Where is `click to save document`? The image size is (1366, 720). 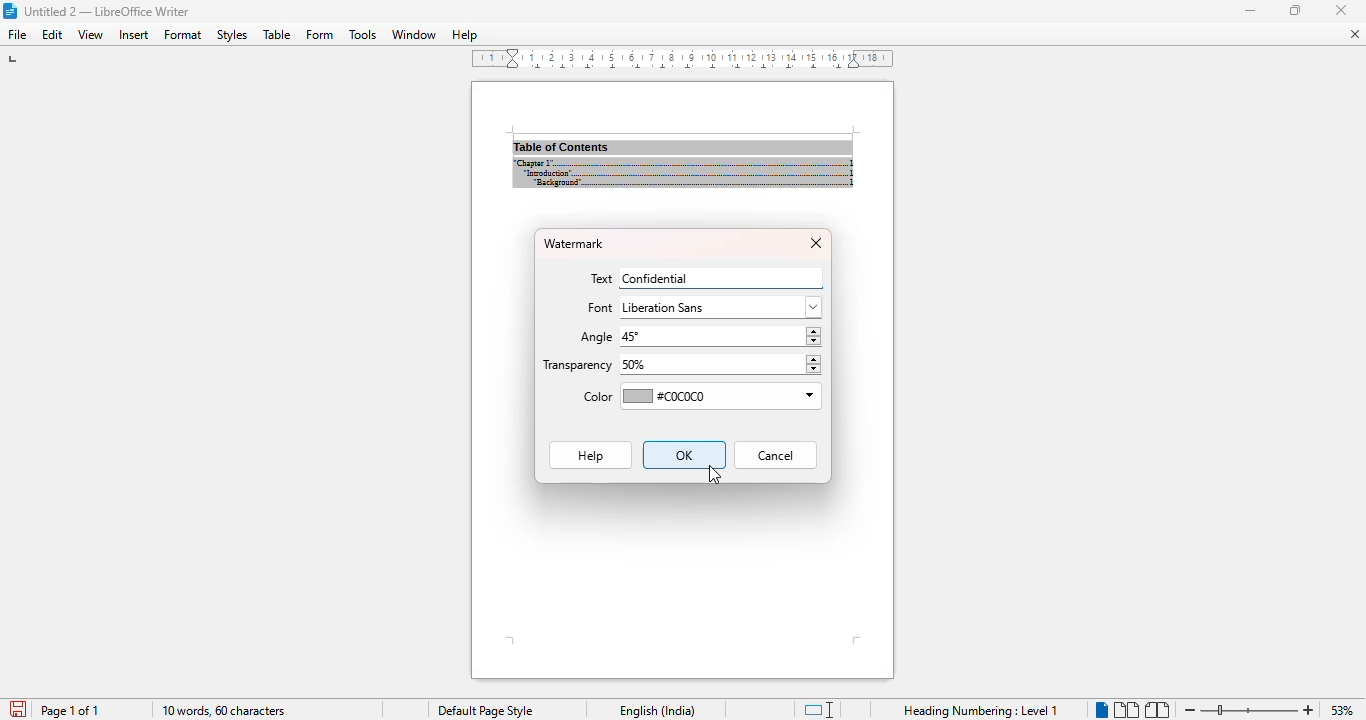 click to save document is located at coordinates (19, 709).